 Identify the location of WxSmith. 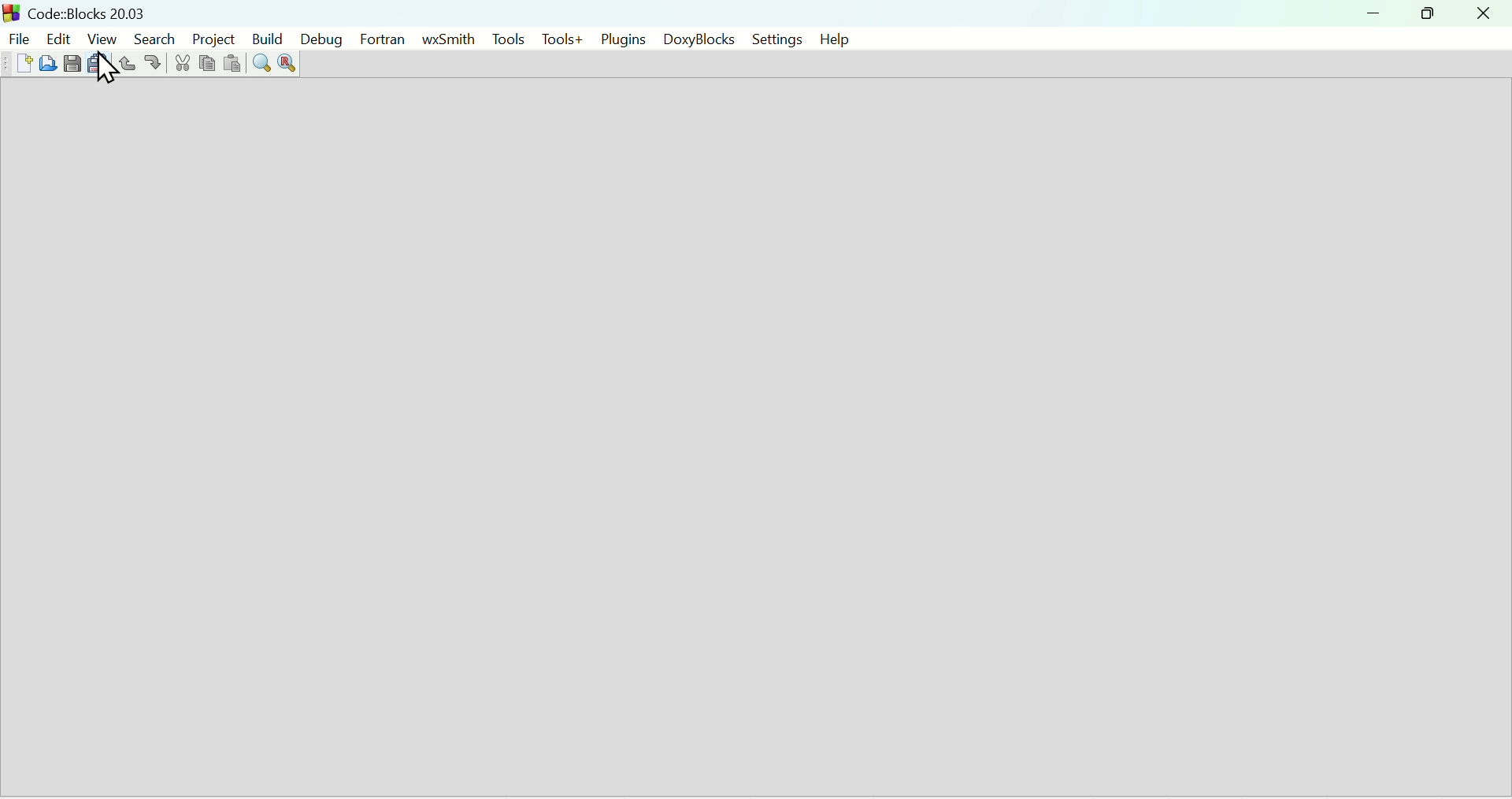
(447, 39).